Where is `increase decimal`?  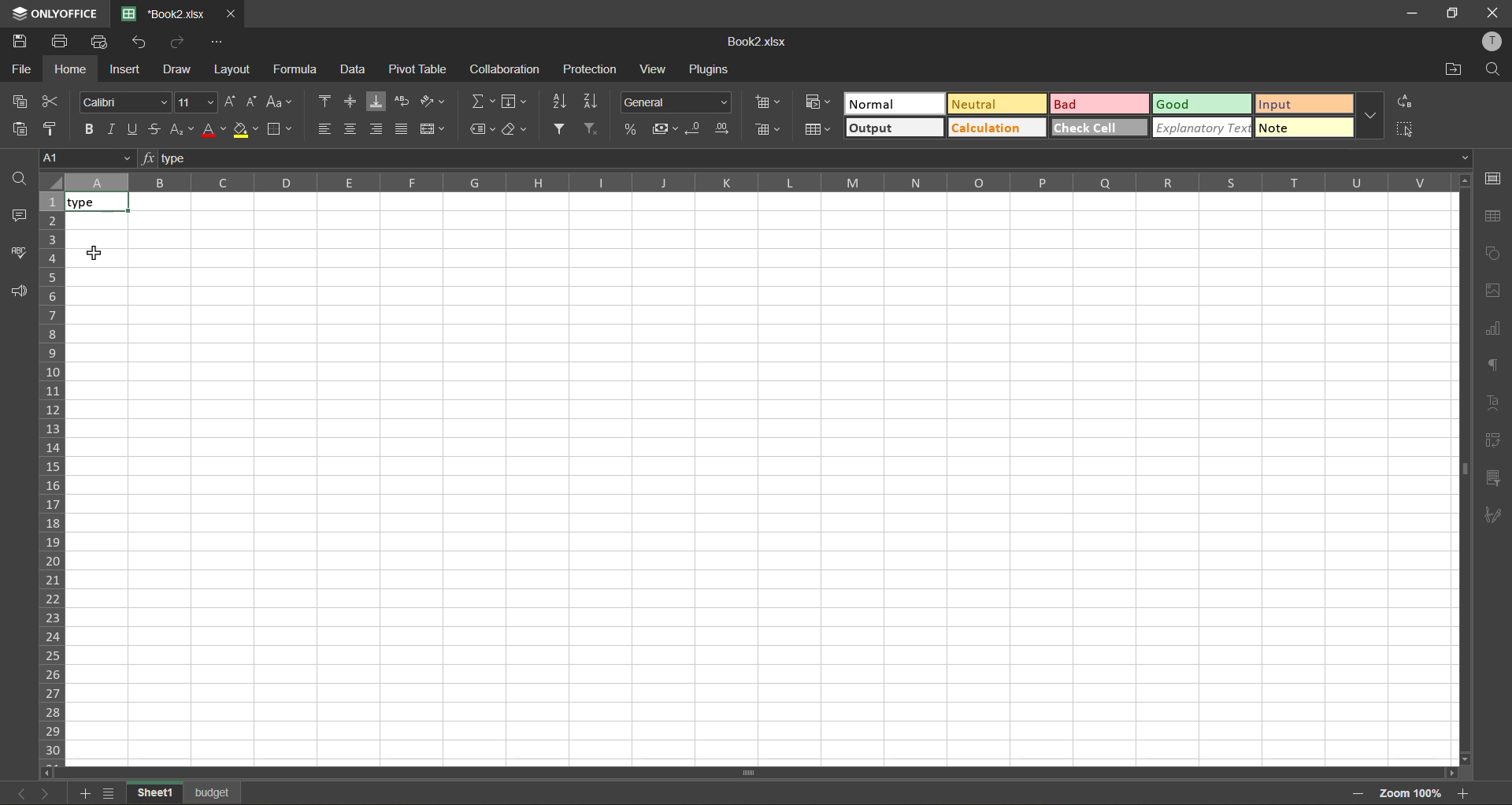
increase decimal is located at coordinates (724, 130).